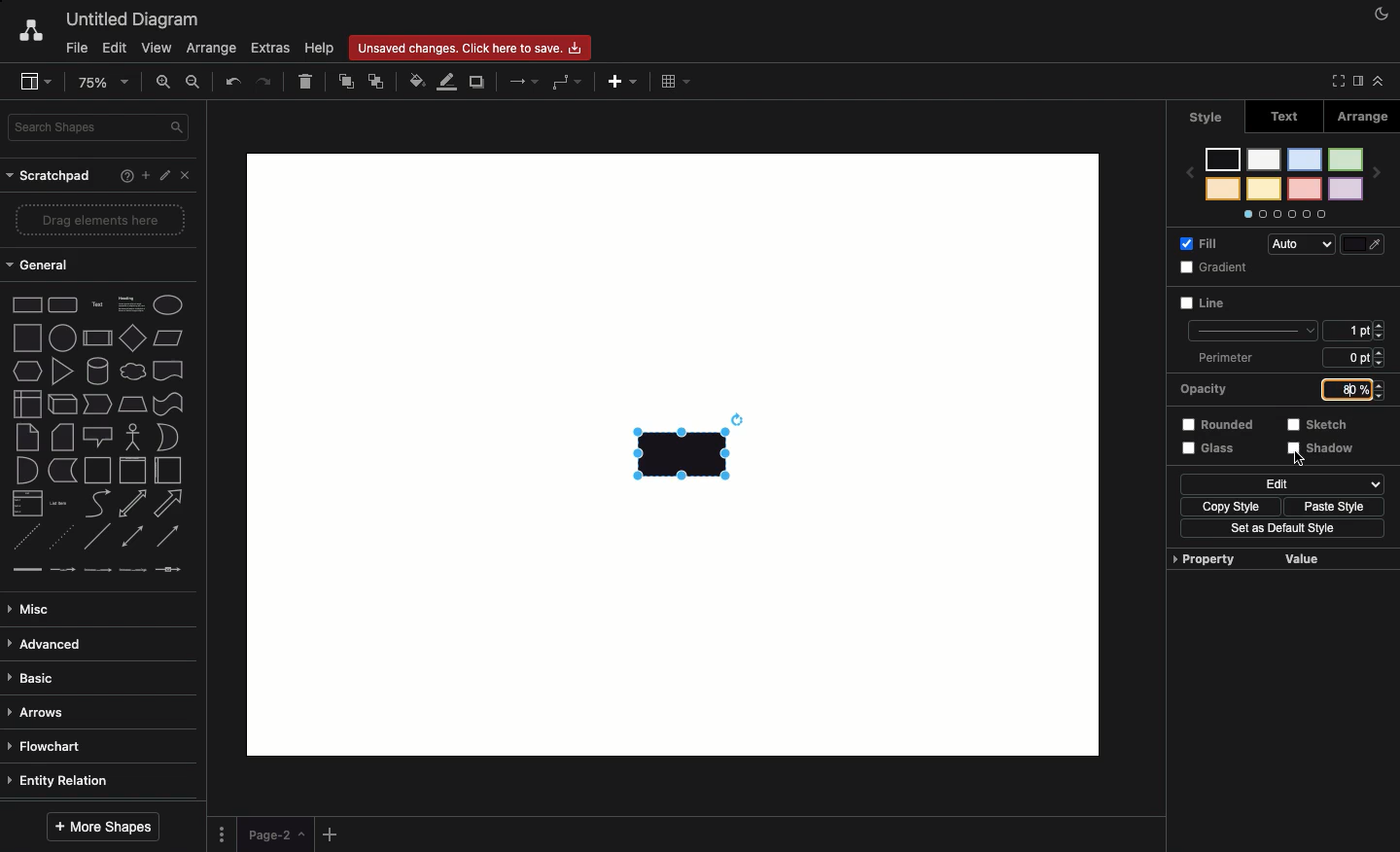 This screenshot has width=1400, height=852. What do you see at coordinates (1210, 269) in the screenshot?
I see `Gradient` at bounding box center [1210, 269].